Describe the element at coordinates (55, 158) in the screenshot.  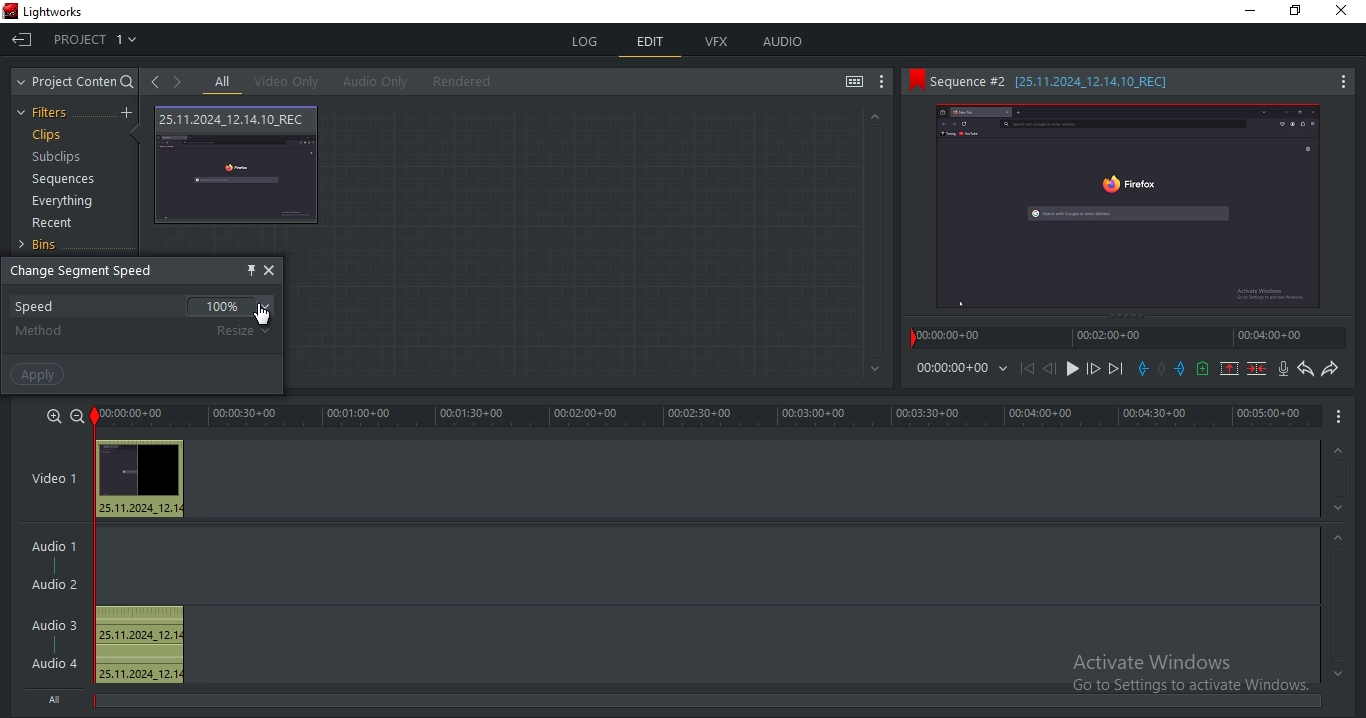
I see `subclips` at that location.